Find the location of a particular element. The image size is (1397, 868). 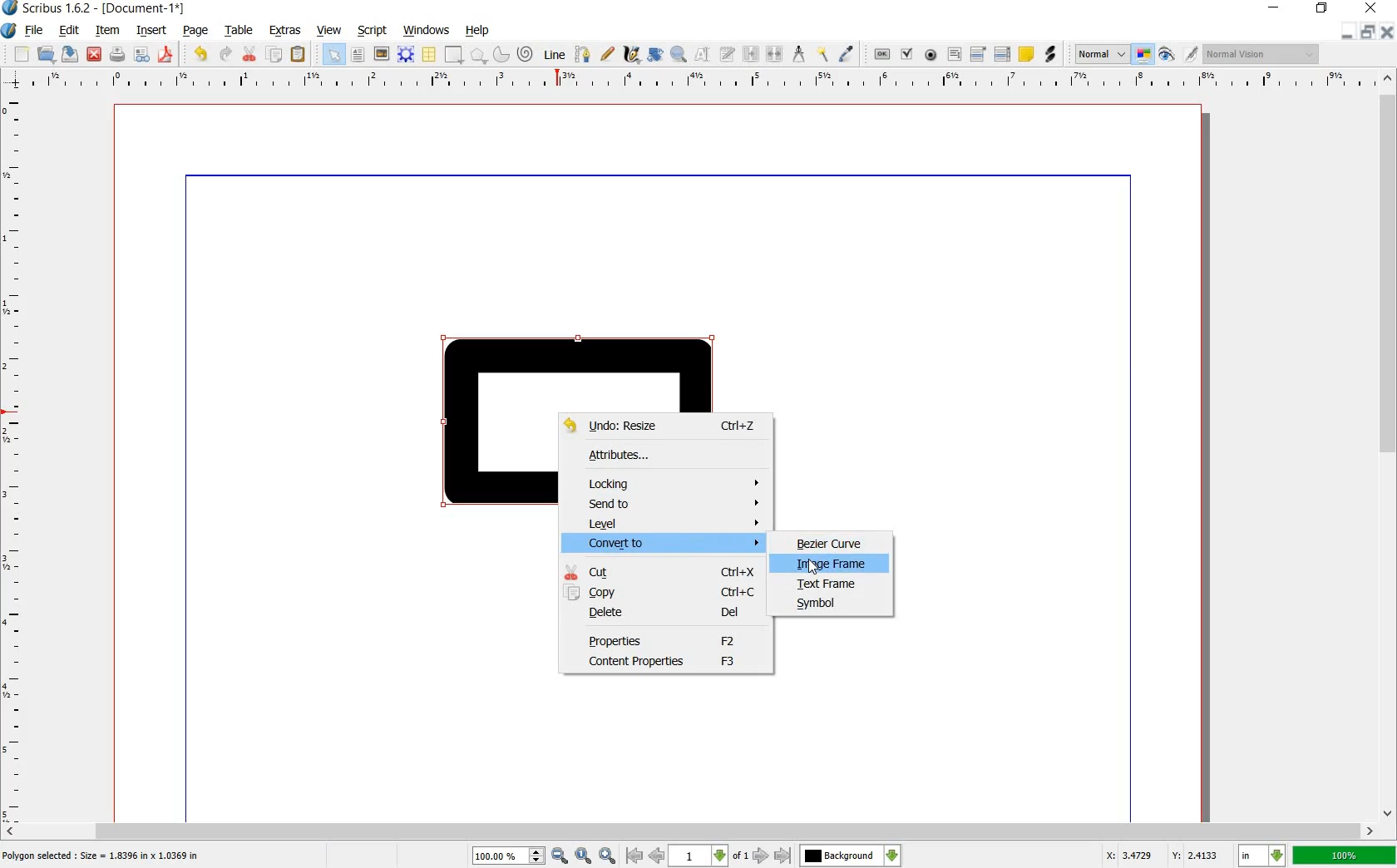

background change is located at coordinates (850, 856).